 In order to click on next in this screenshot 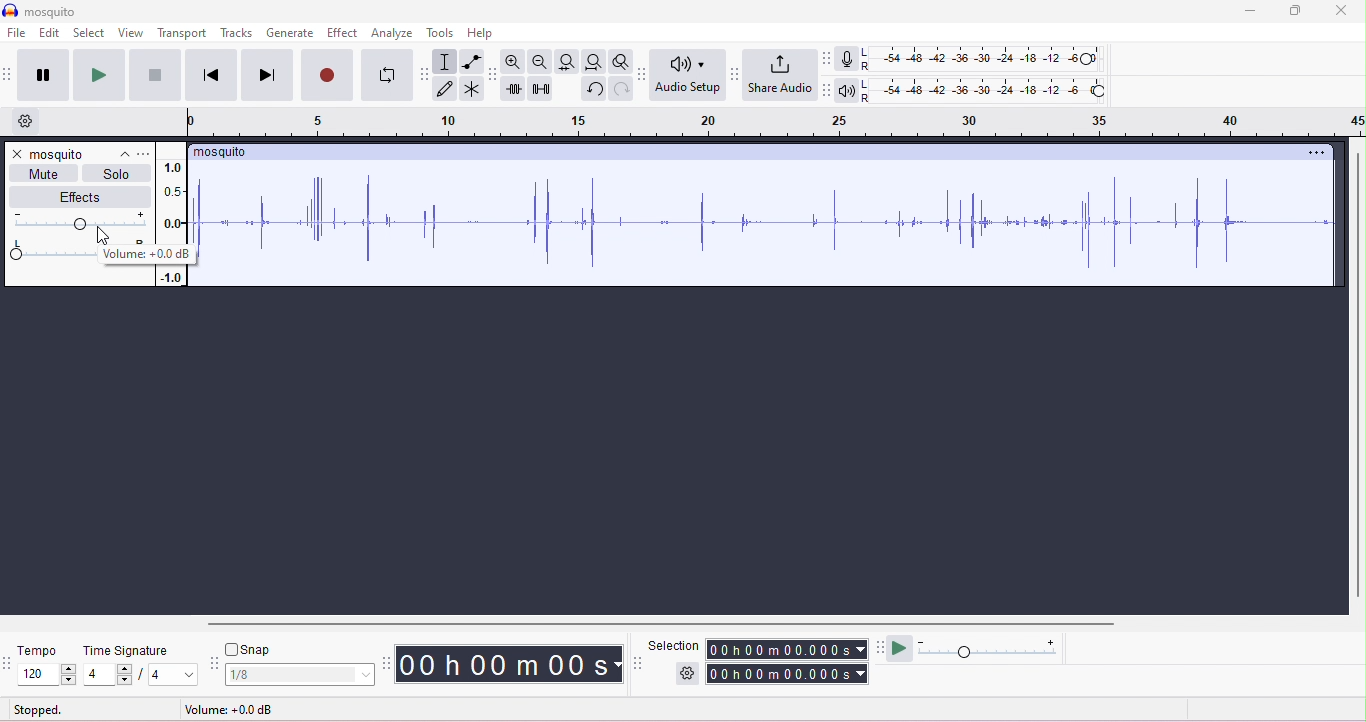, I will do `click(267, 75)`.